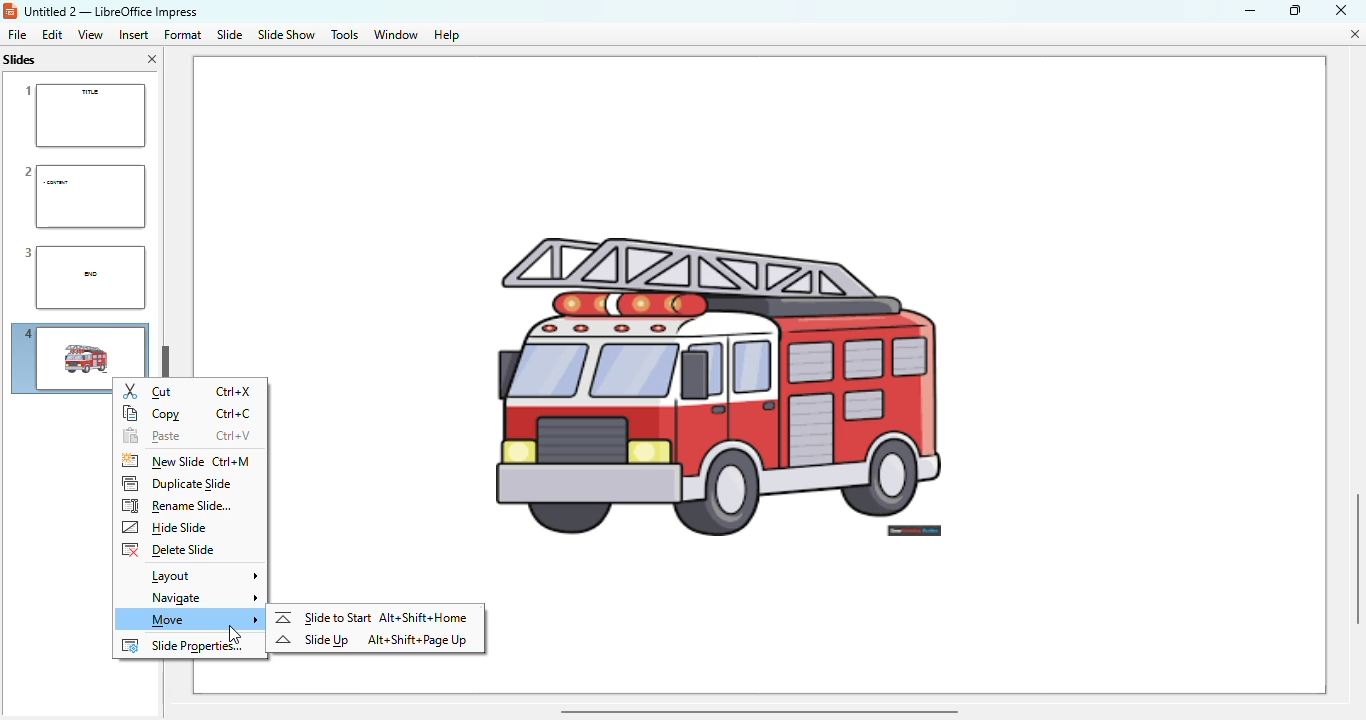 The width and height of the screenshot is (1366, 720). I want to click on slide show, so click(286, 35).